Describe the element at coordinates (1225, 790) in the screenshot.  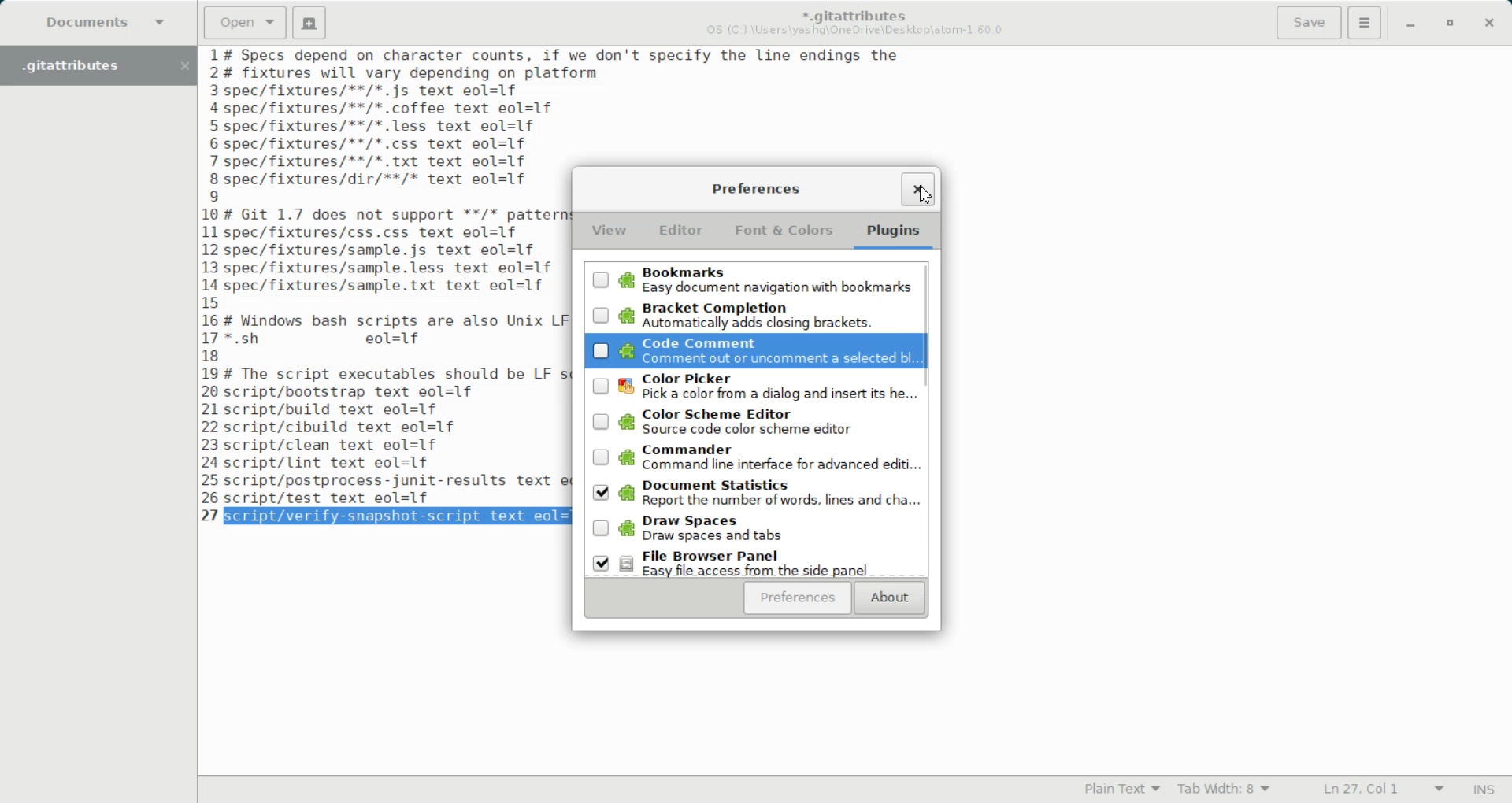
I see `Tab Width: 9` at that location.